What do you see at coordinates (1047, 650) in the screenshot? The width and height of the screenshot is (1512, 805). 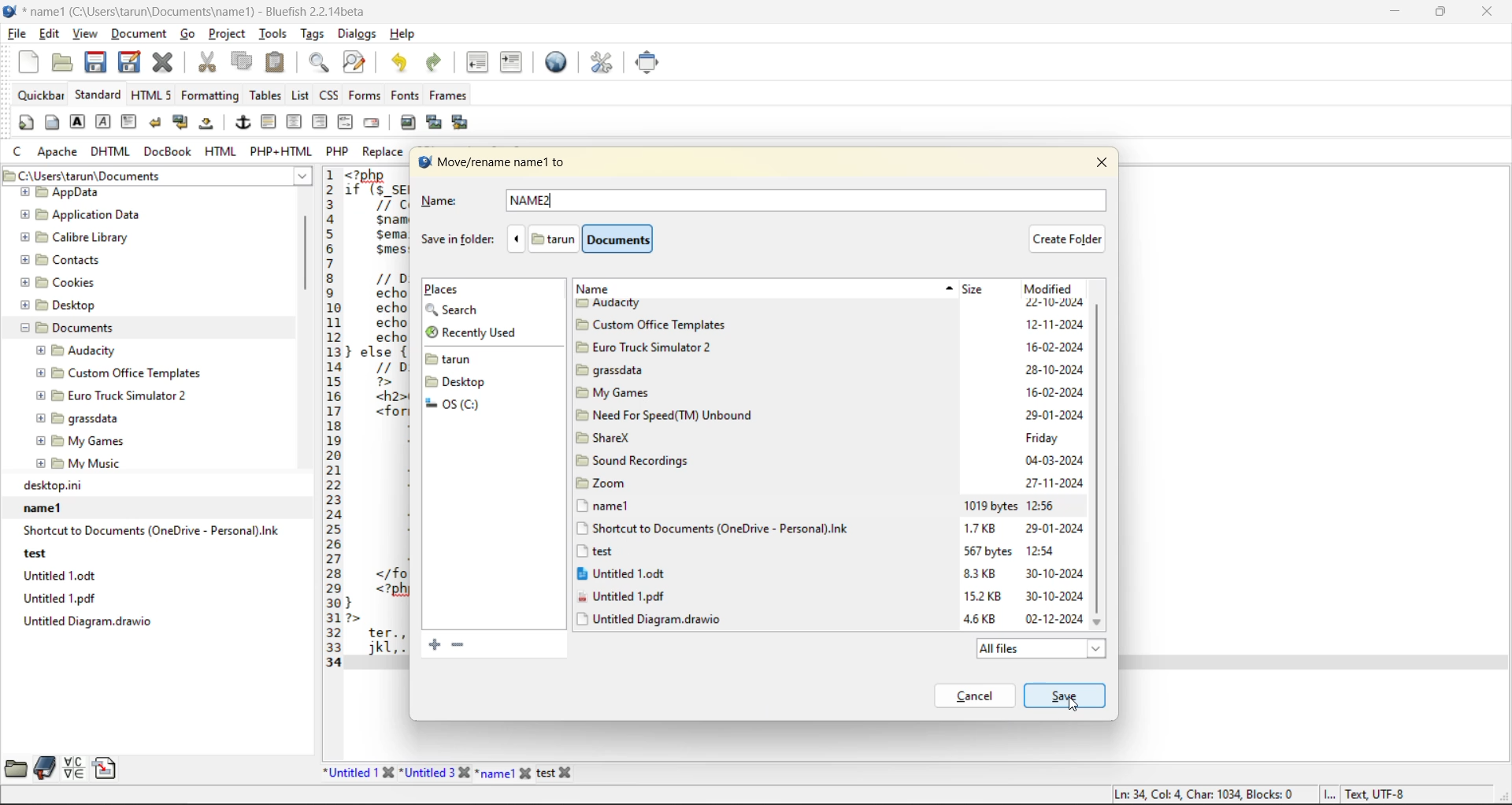 I see `all files` at bounding box center [1047, 650].